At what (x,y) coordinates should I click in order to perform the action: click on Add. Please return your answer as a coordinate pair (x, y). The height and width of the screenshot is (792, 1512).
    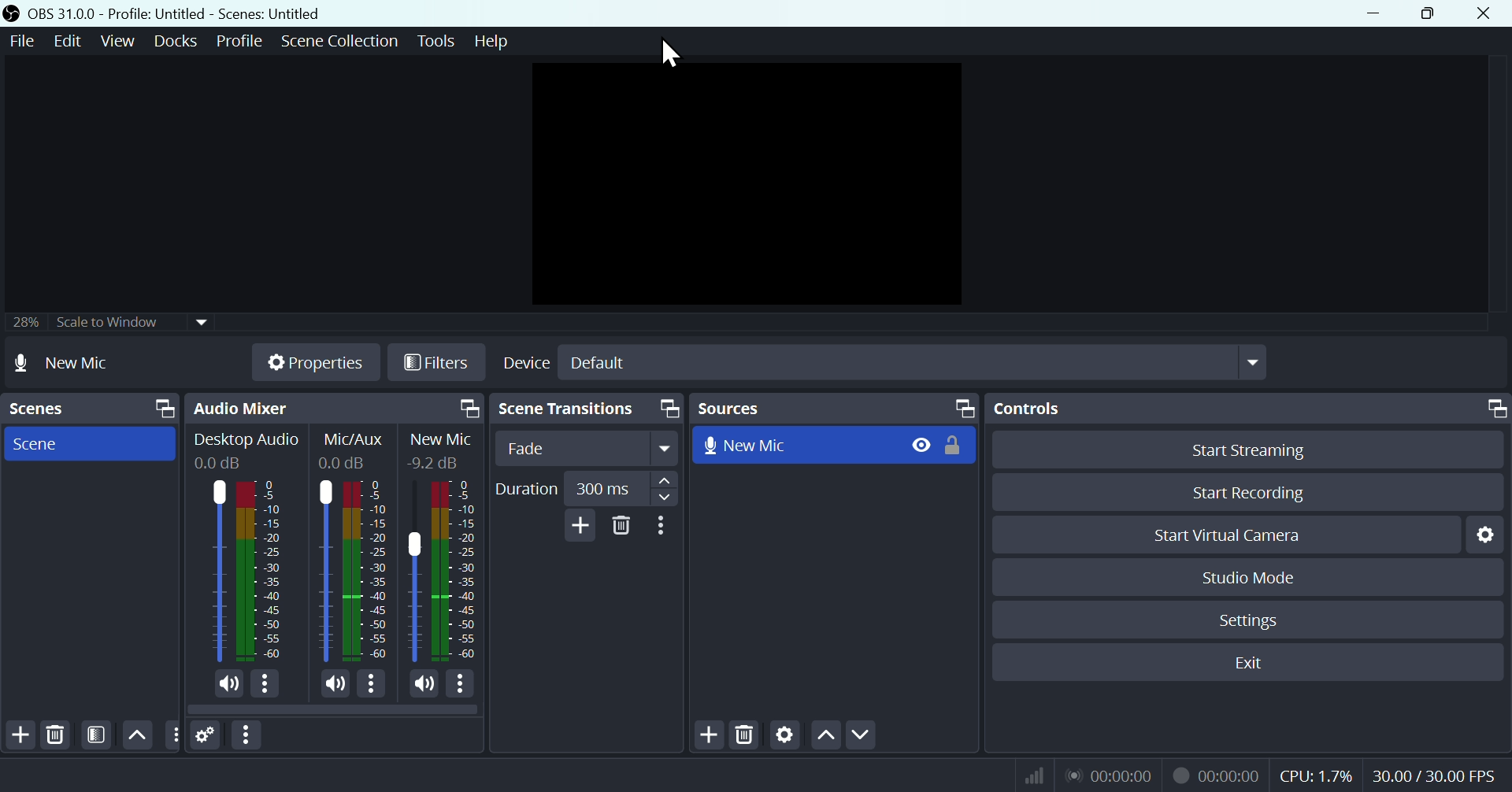
    Looking at the image, I should click on (711, 736).